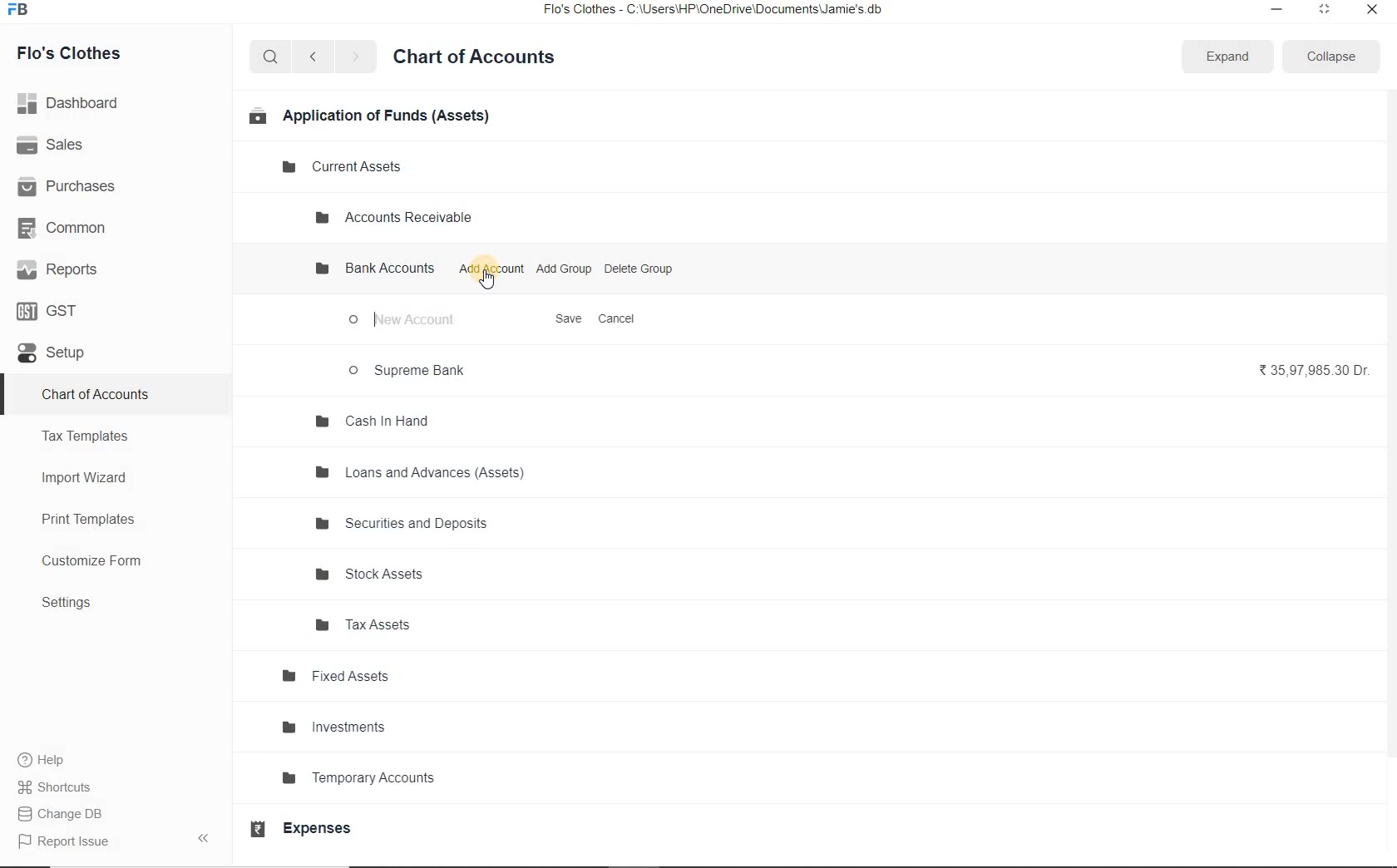 This screenshot has height=868, width=1397. What do you see at coordinates (403, 216) in the screenshot?
I see `Accounts Receivable` at bounding box center [403, 216].